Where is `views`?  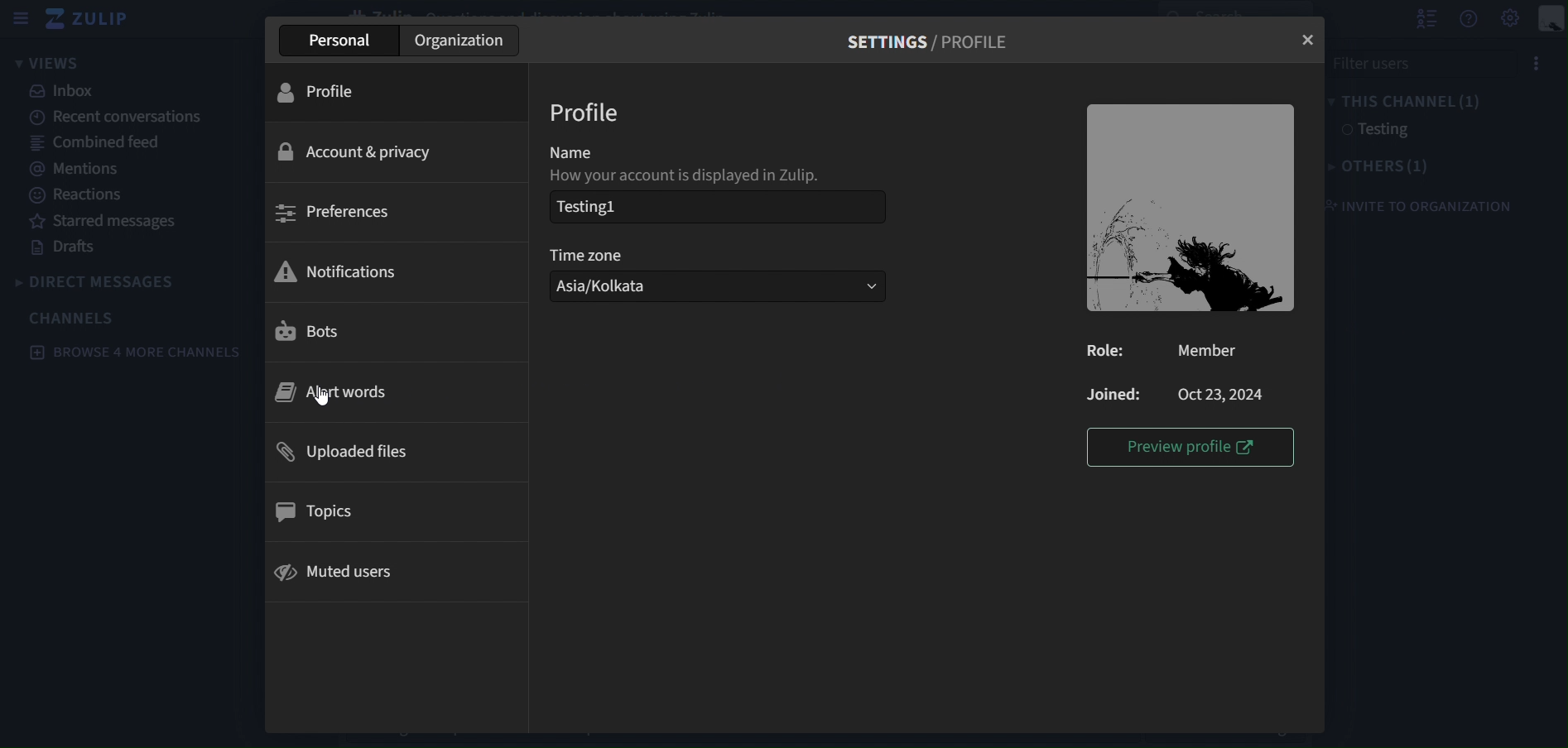
views is located at coordinates (58, 63).